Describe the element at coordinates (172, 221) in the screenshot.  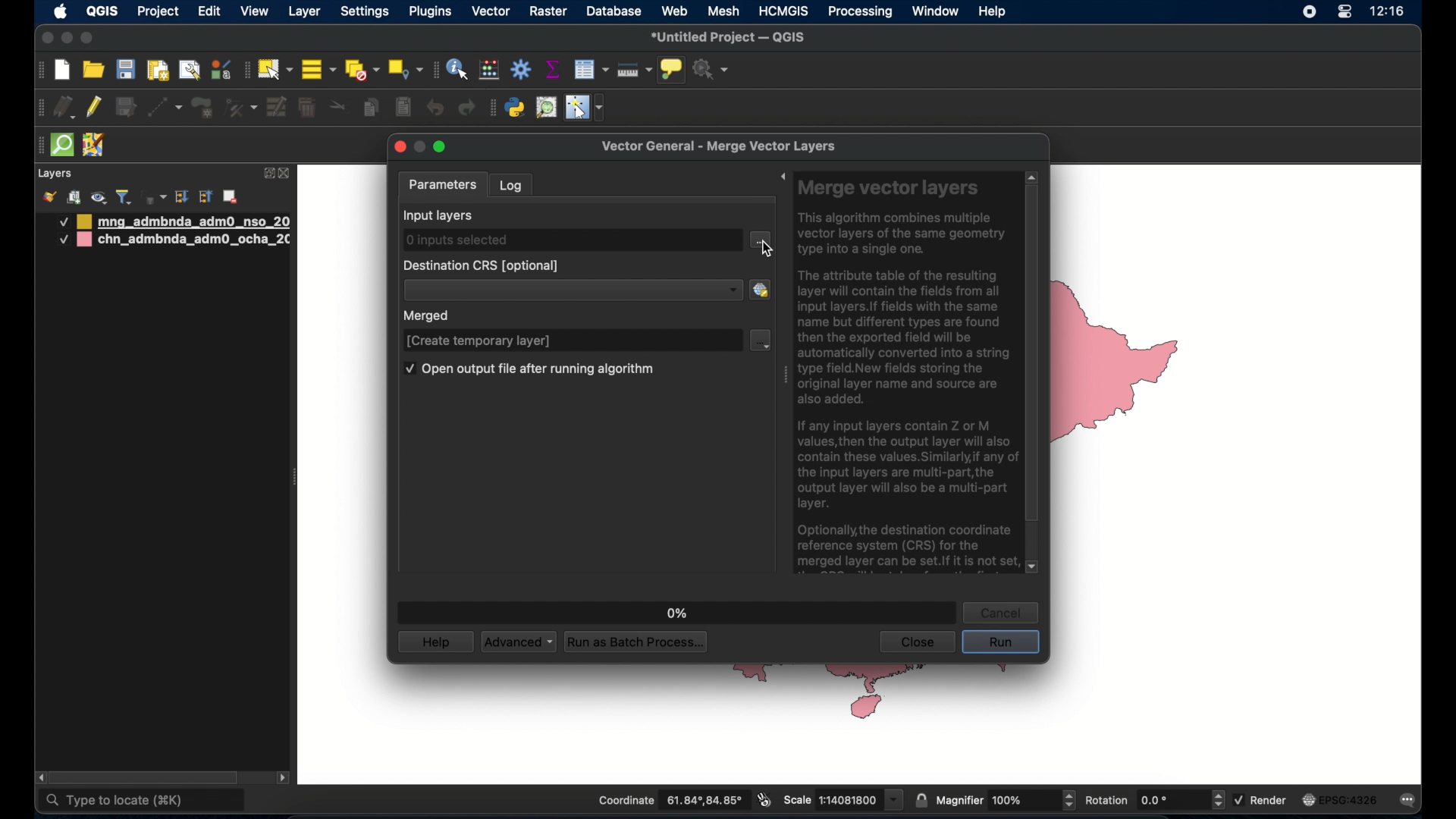
I see `mongolia administrative boundary layer 1` at that location.